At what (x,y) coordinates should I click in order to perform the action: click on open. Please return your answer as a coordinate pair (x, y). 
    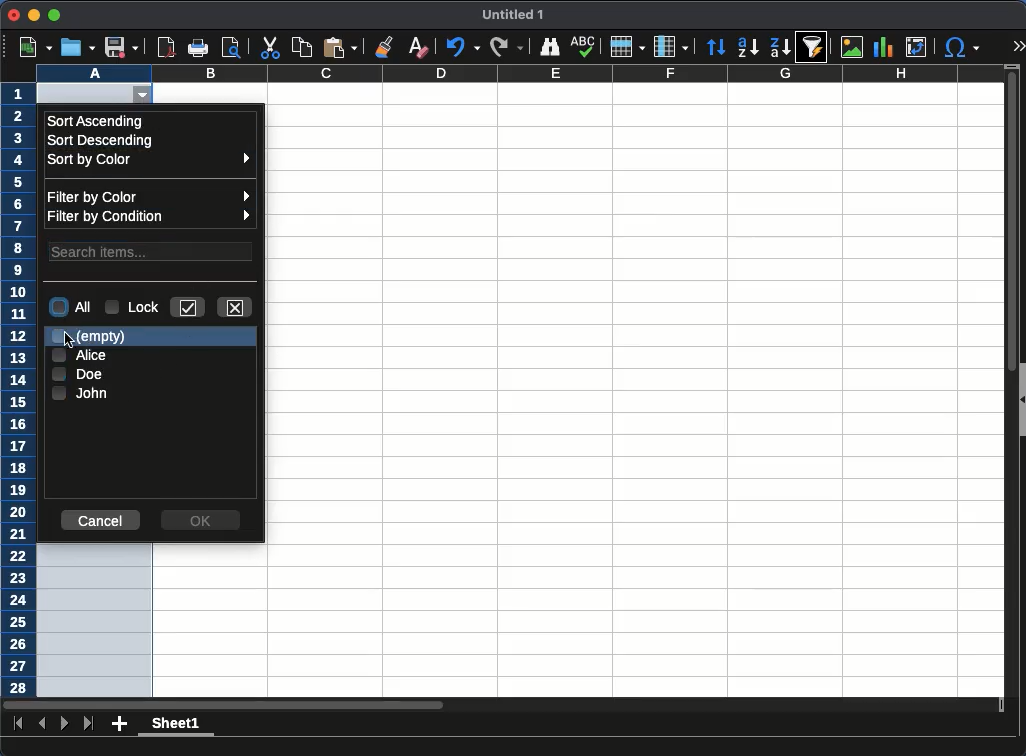
    Looking at the image, I should click on (78, 47).